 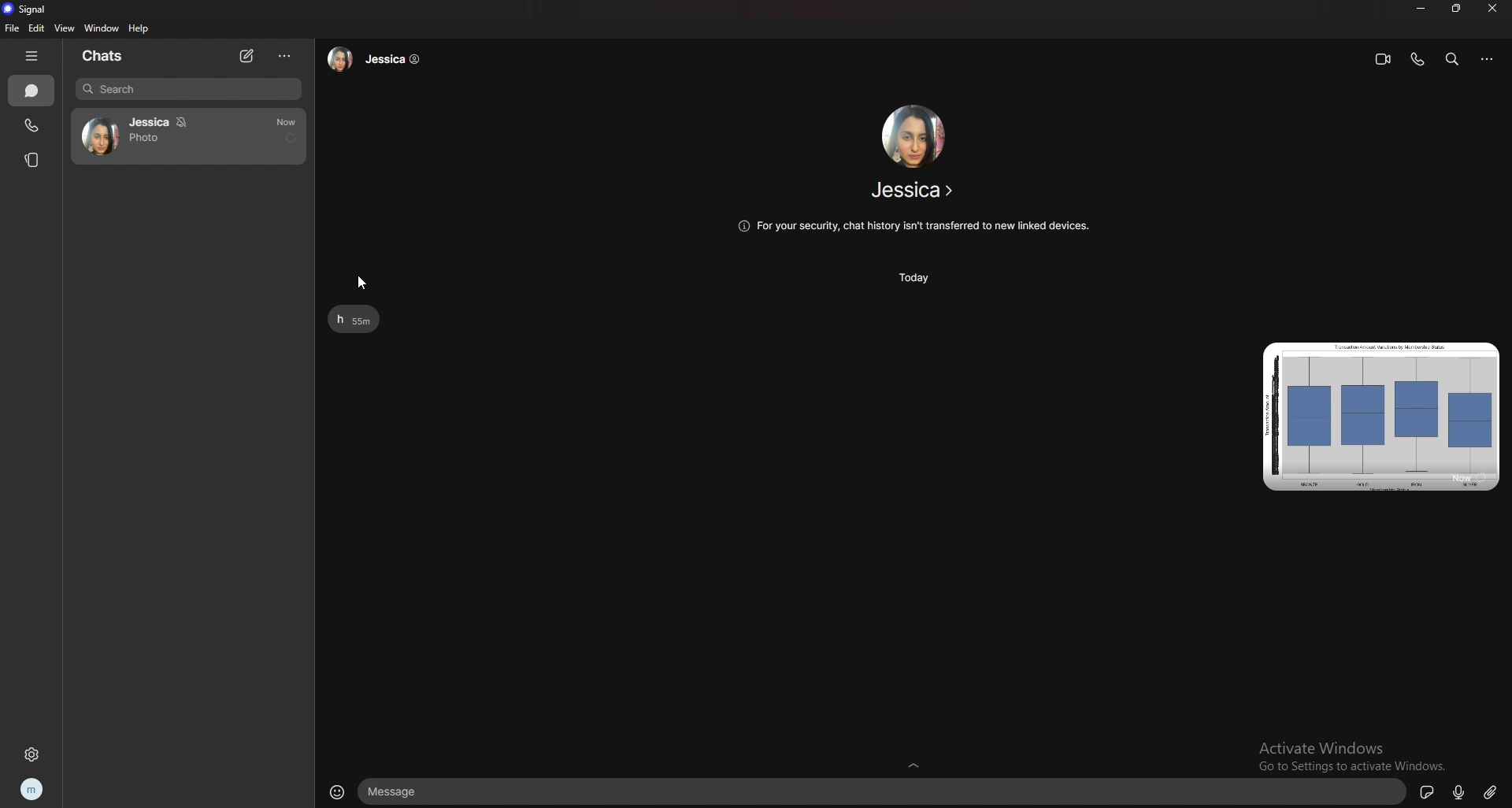 I want to click on sticker, so click(x=1429, y=791).